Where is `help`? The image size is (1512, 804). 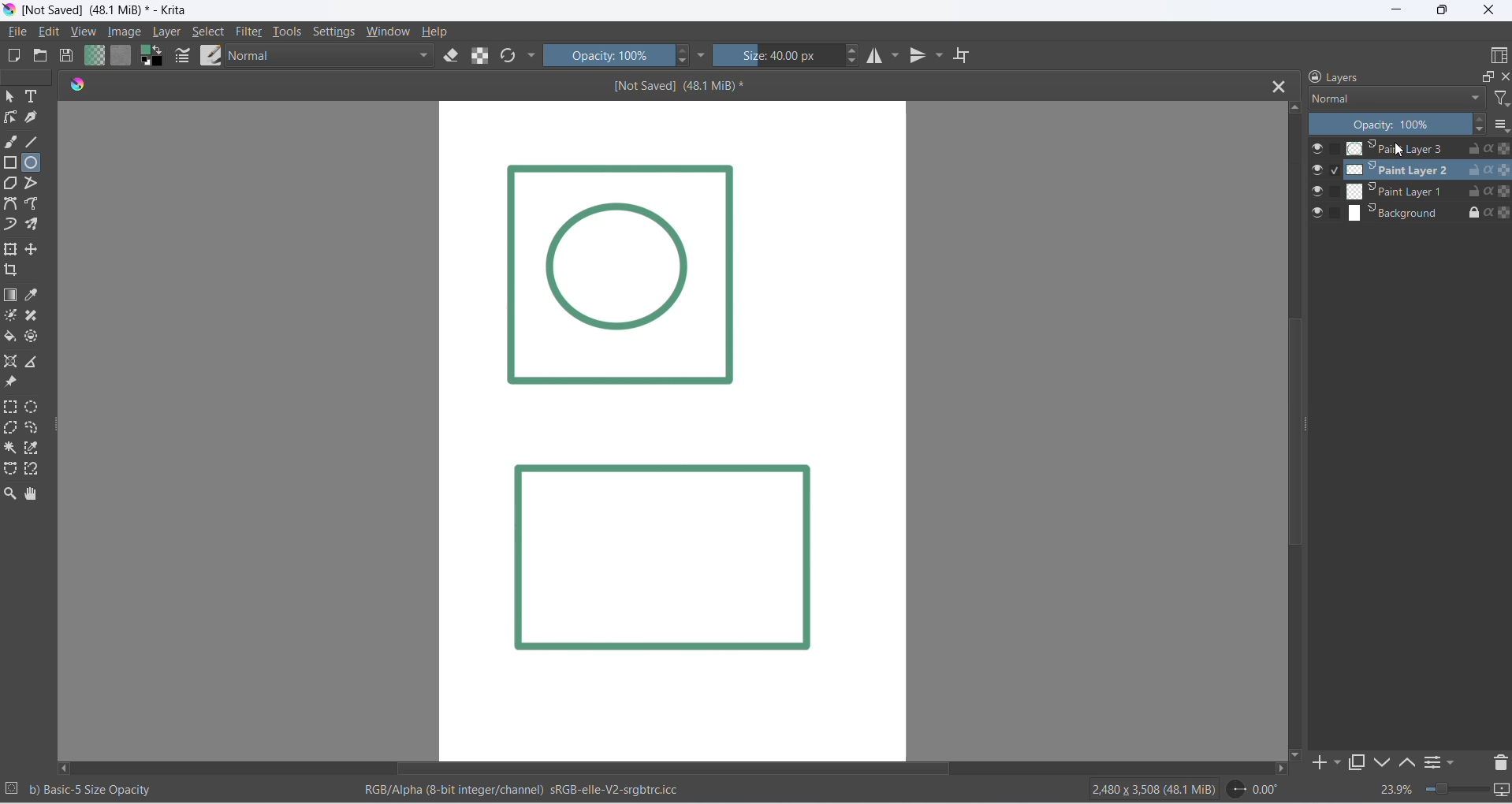
help is located at coordinates (434, 33).